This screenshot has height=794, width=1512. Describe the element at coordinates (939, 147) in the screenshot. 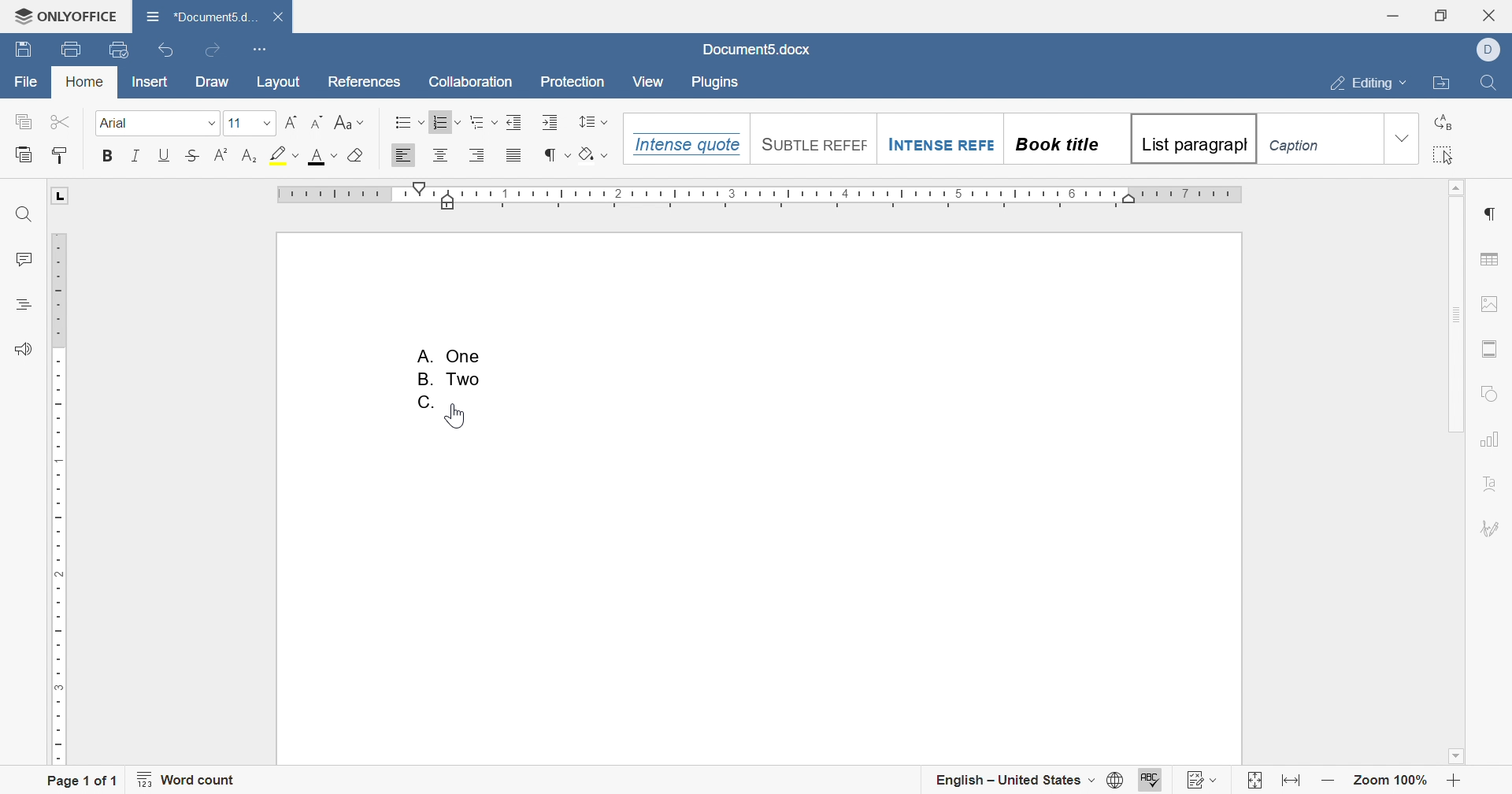

I see `Intense Refe` at that location.